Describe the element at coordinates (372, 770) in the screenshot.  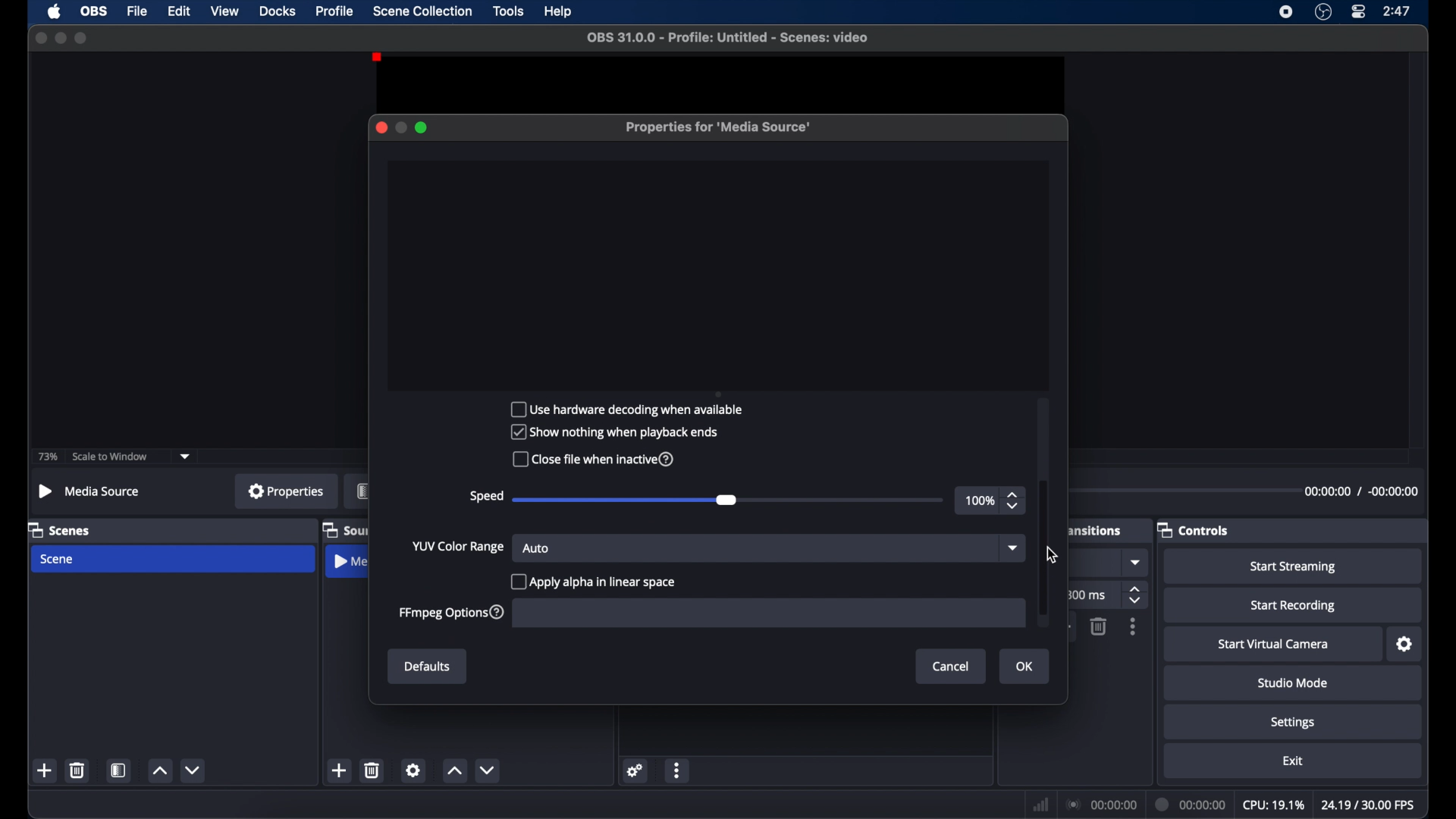
I see `delete` at that location.